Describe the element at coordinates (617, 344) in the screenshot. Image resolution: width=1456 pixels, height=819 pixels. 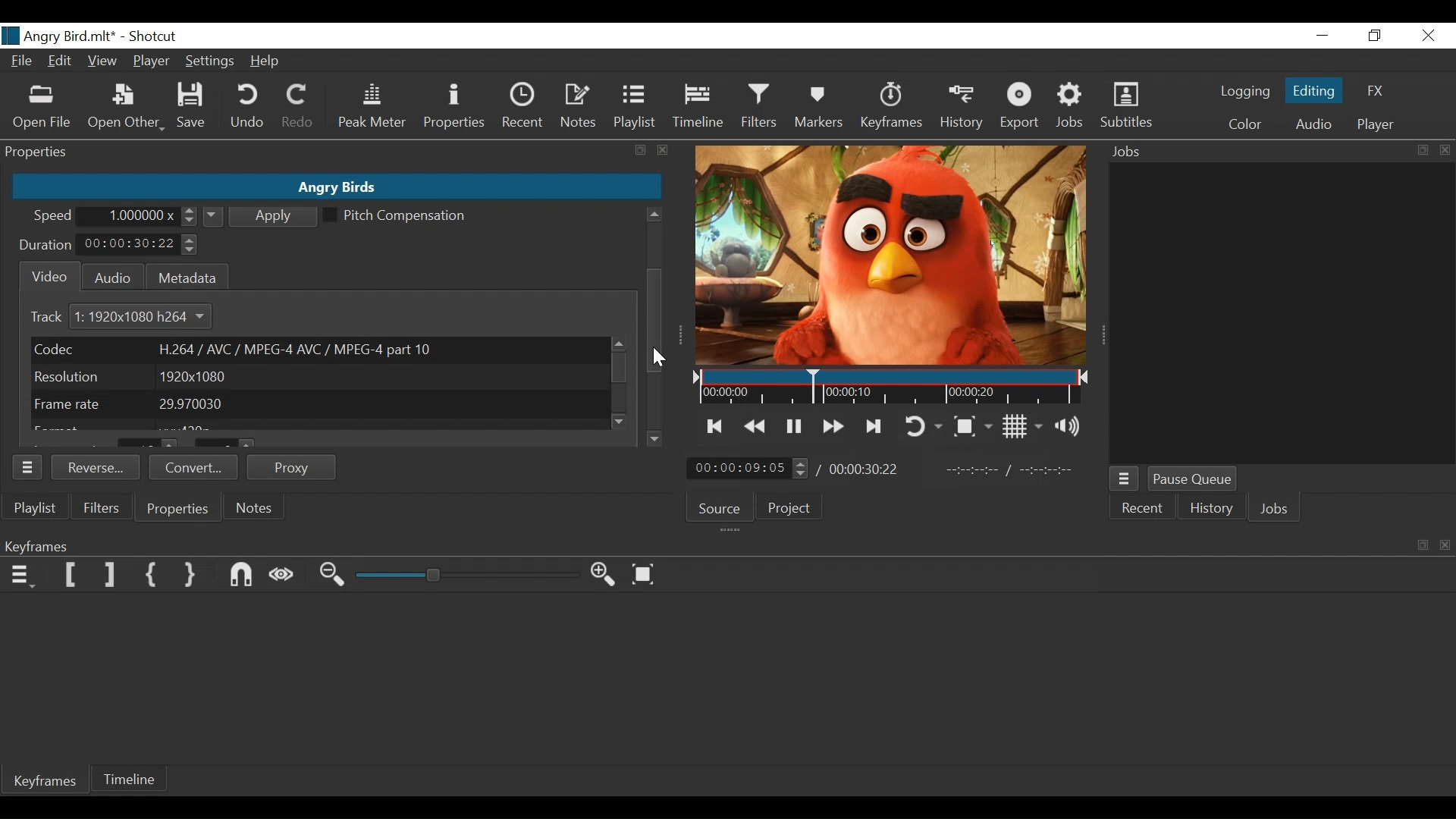
I see `Scroll up` at that location.